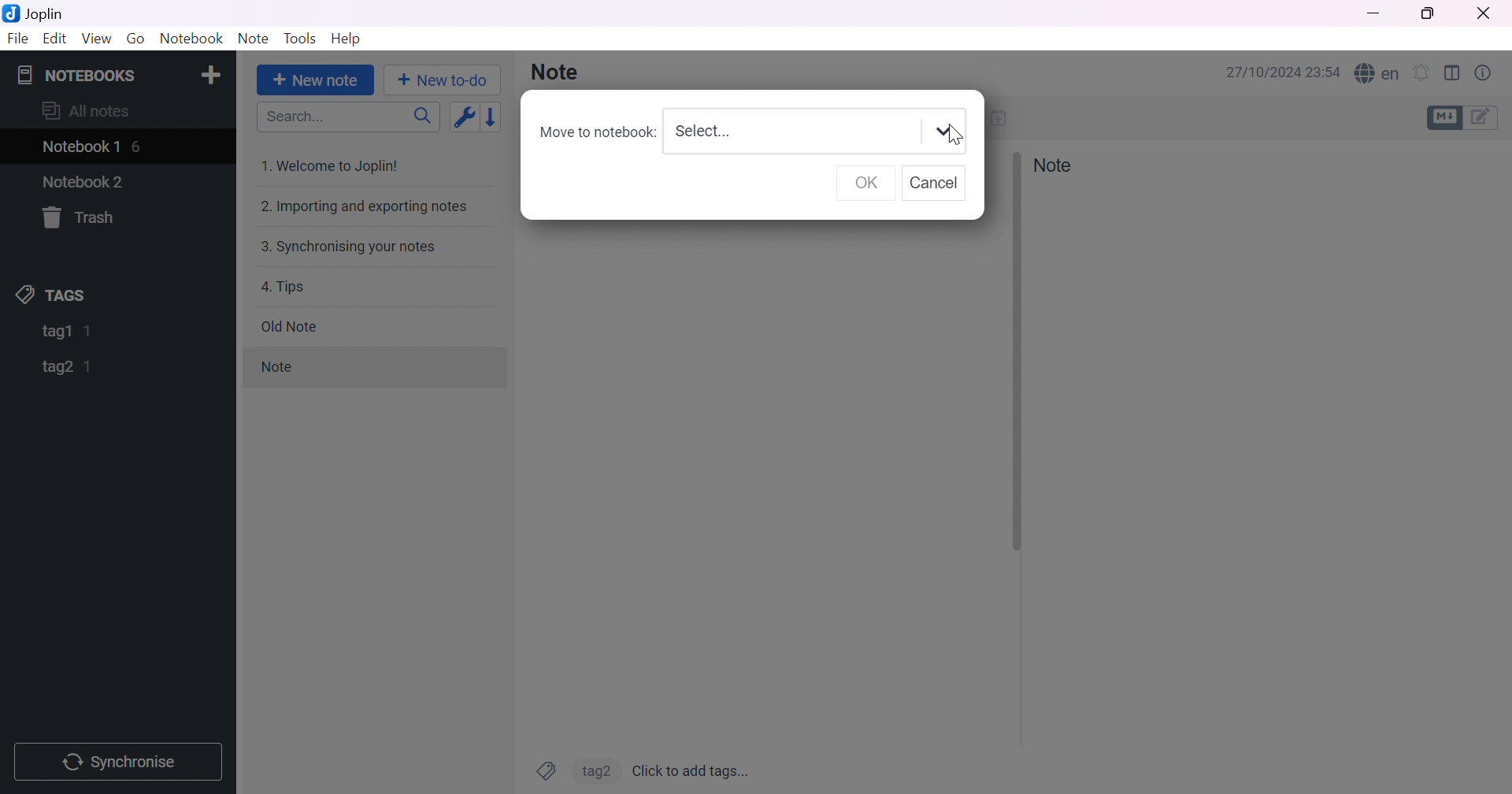 This screenshot has height=794, width=1512. I want to click on Move to notebook:, so click(596, 132).